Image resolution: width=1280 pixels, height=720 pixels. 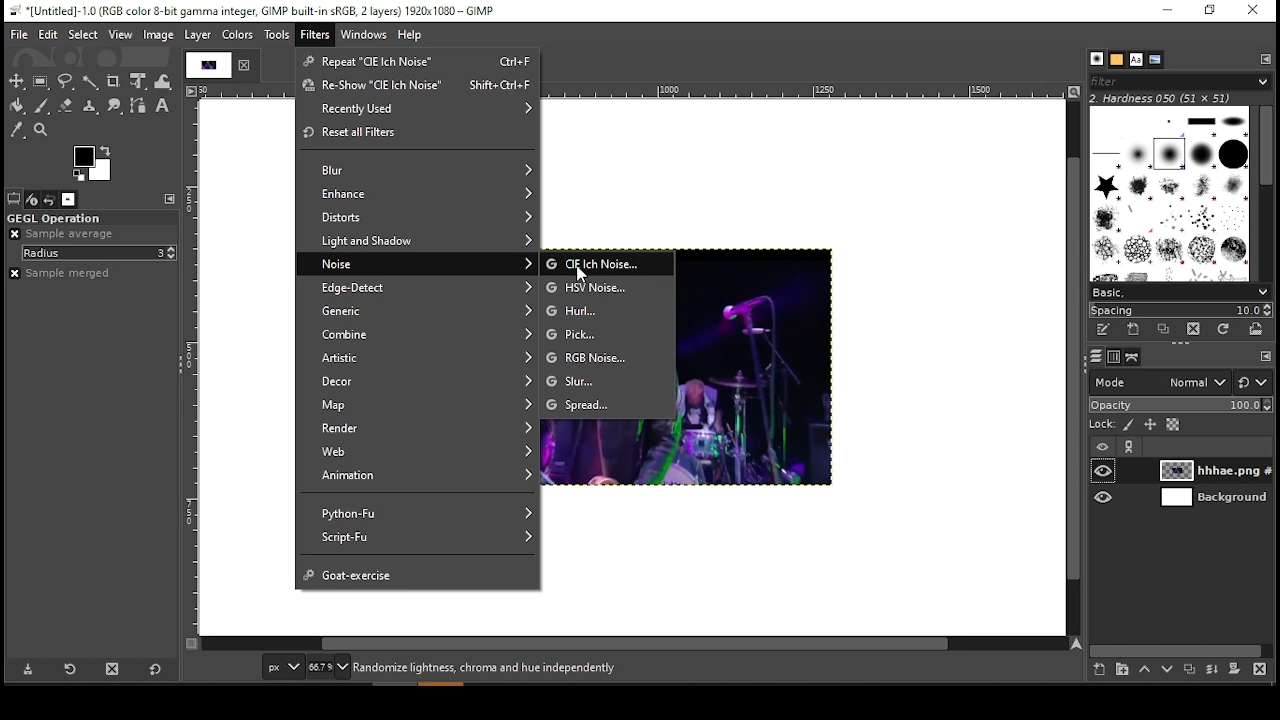 I want to click on brushes, so click(x=1098, y=59).